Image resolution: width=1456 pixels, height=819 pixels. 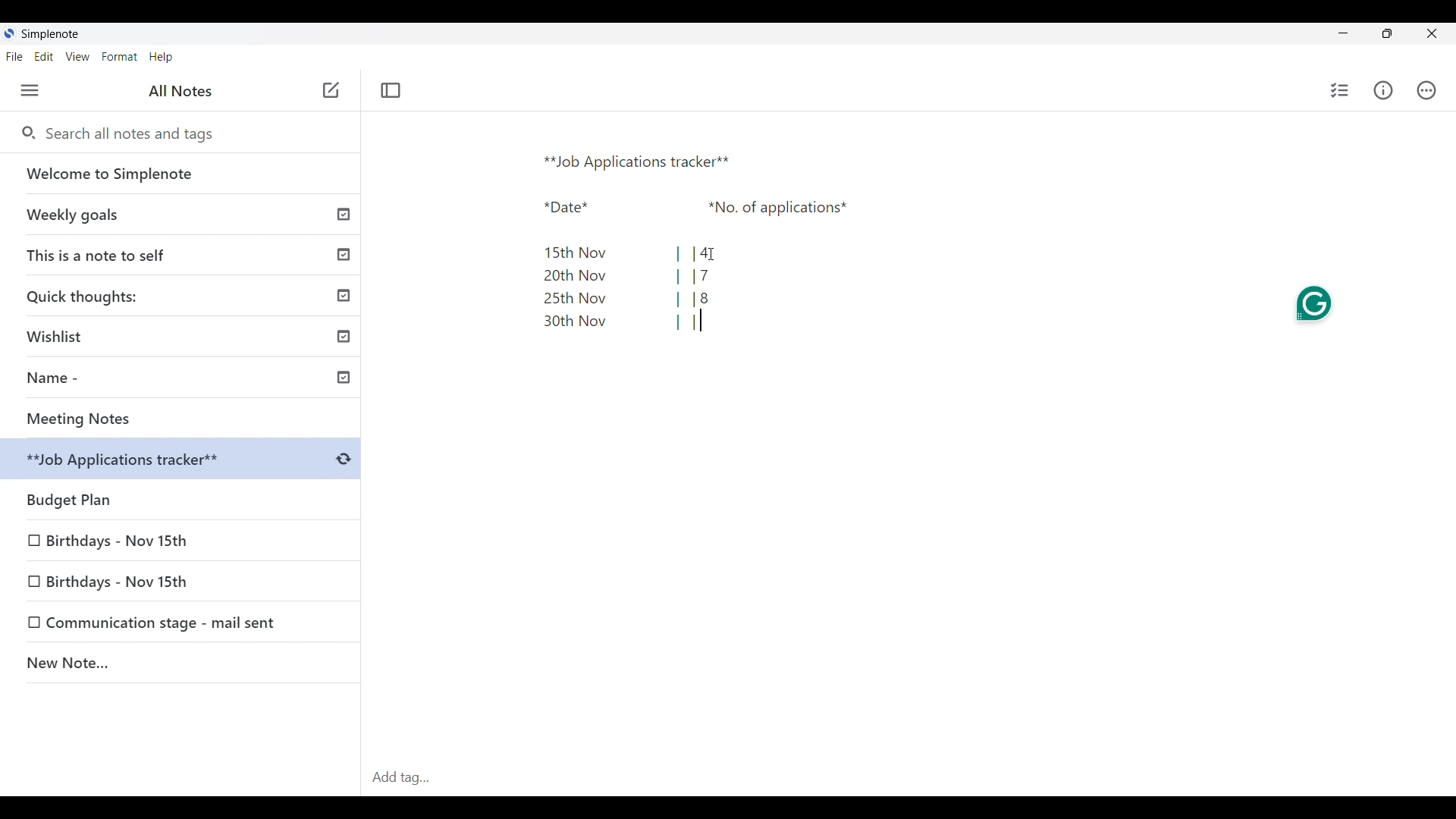 What do you see at coordinates (183, 295) in the screenshot?
I see `Quick thoughts` at bounding box center [183, 295].